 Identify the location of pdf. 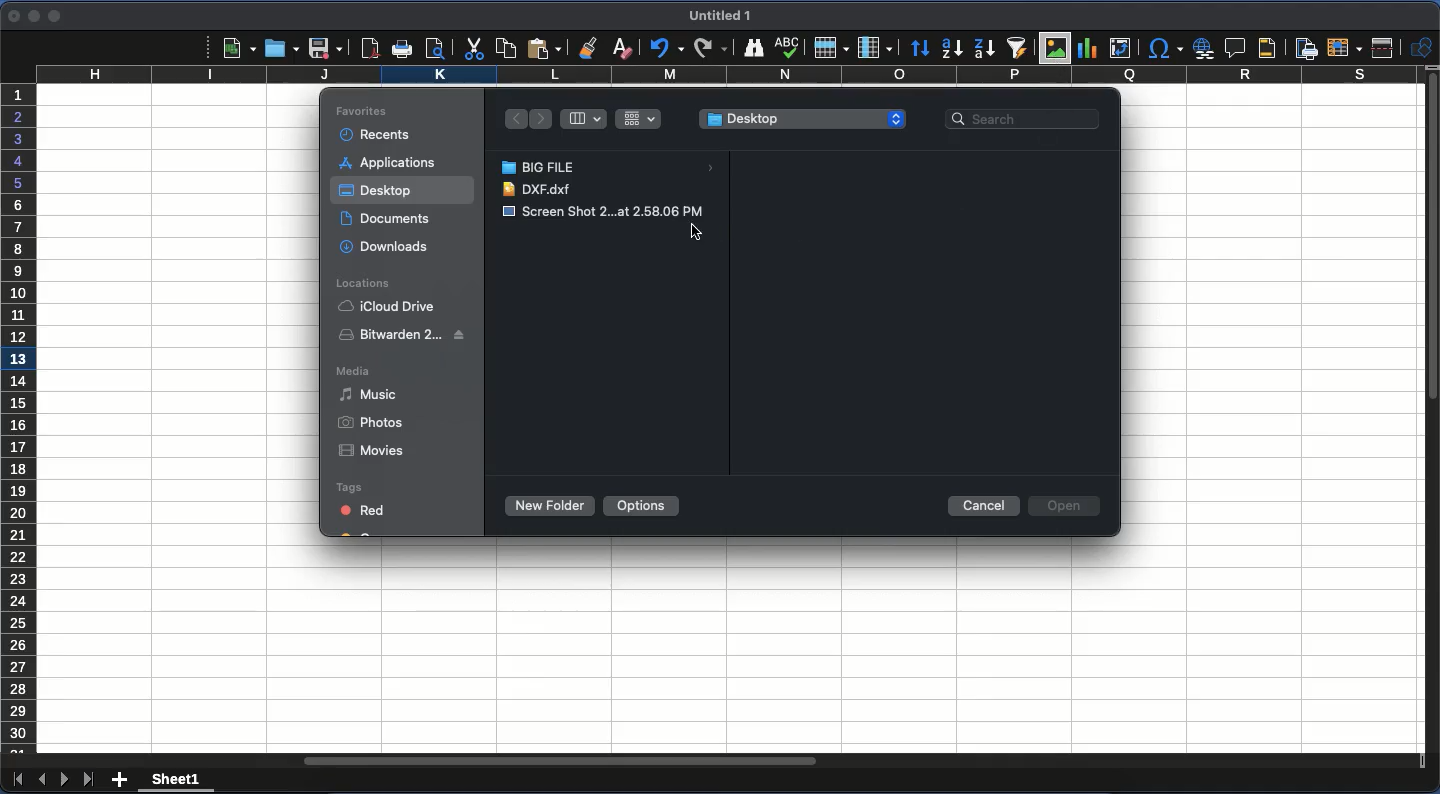
(371, 48).